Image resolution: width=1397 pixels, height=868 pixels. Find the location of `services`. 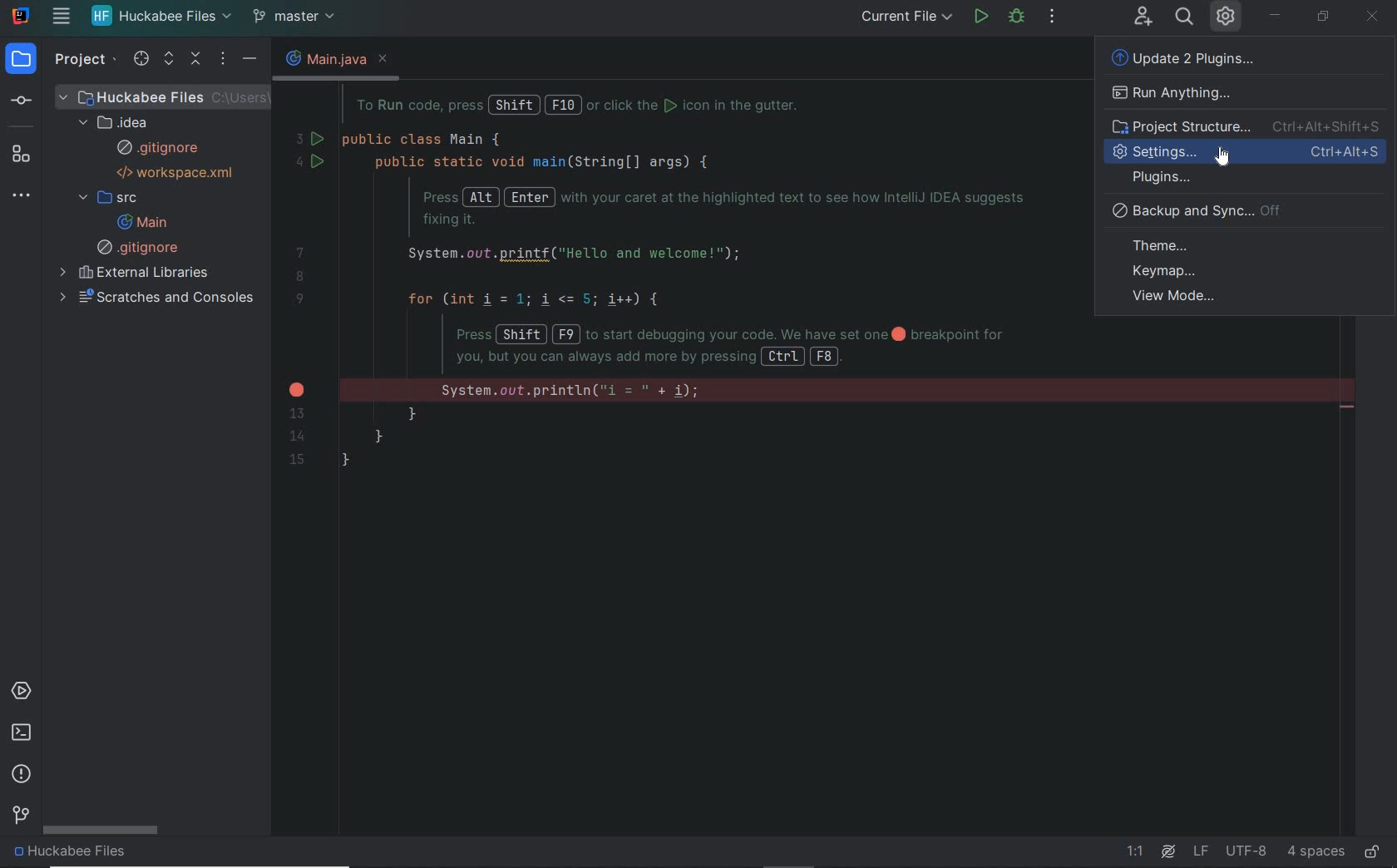

services is located at coordinates (25, 691).